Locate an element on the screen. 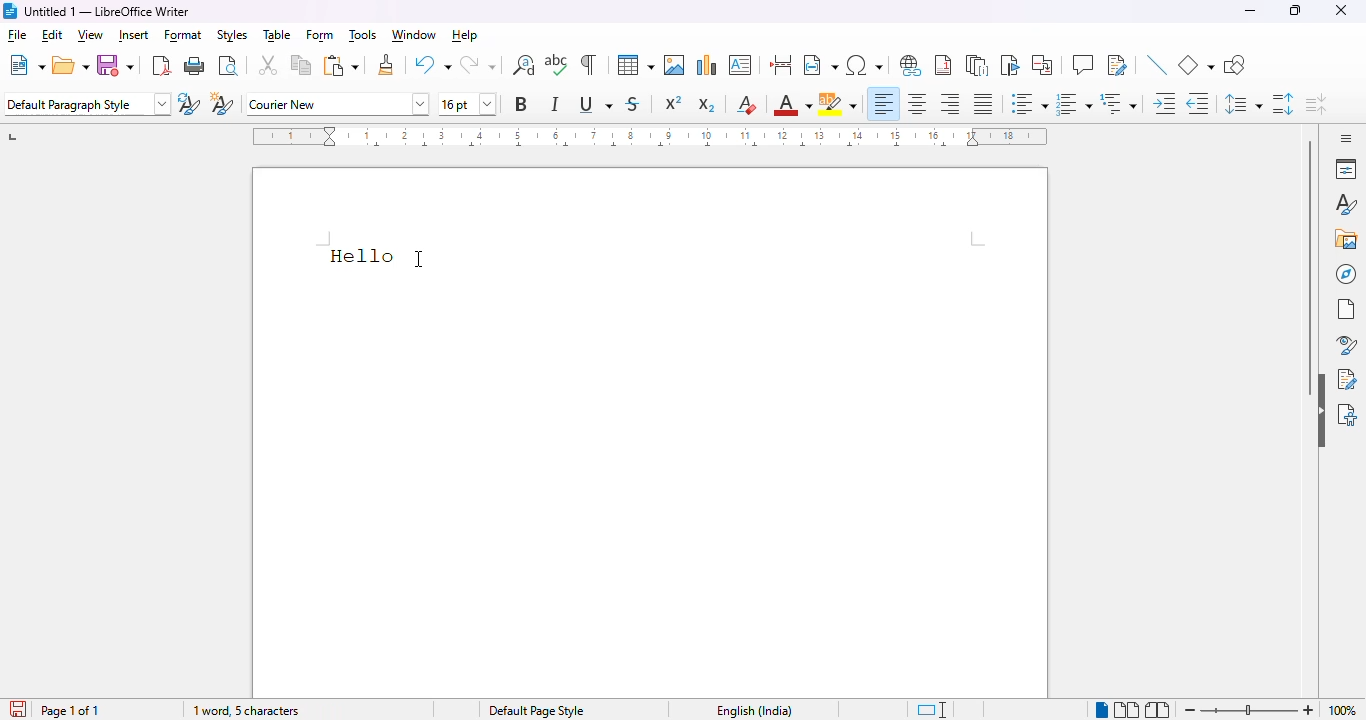 This screenshot has width=1366, height=720. insert special characters is located at coordinates (867, 65).